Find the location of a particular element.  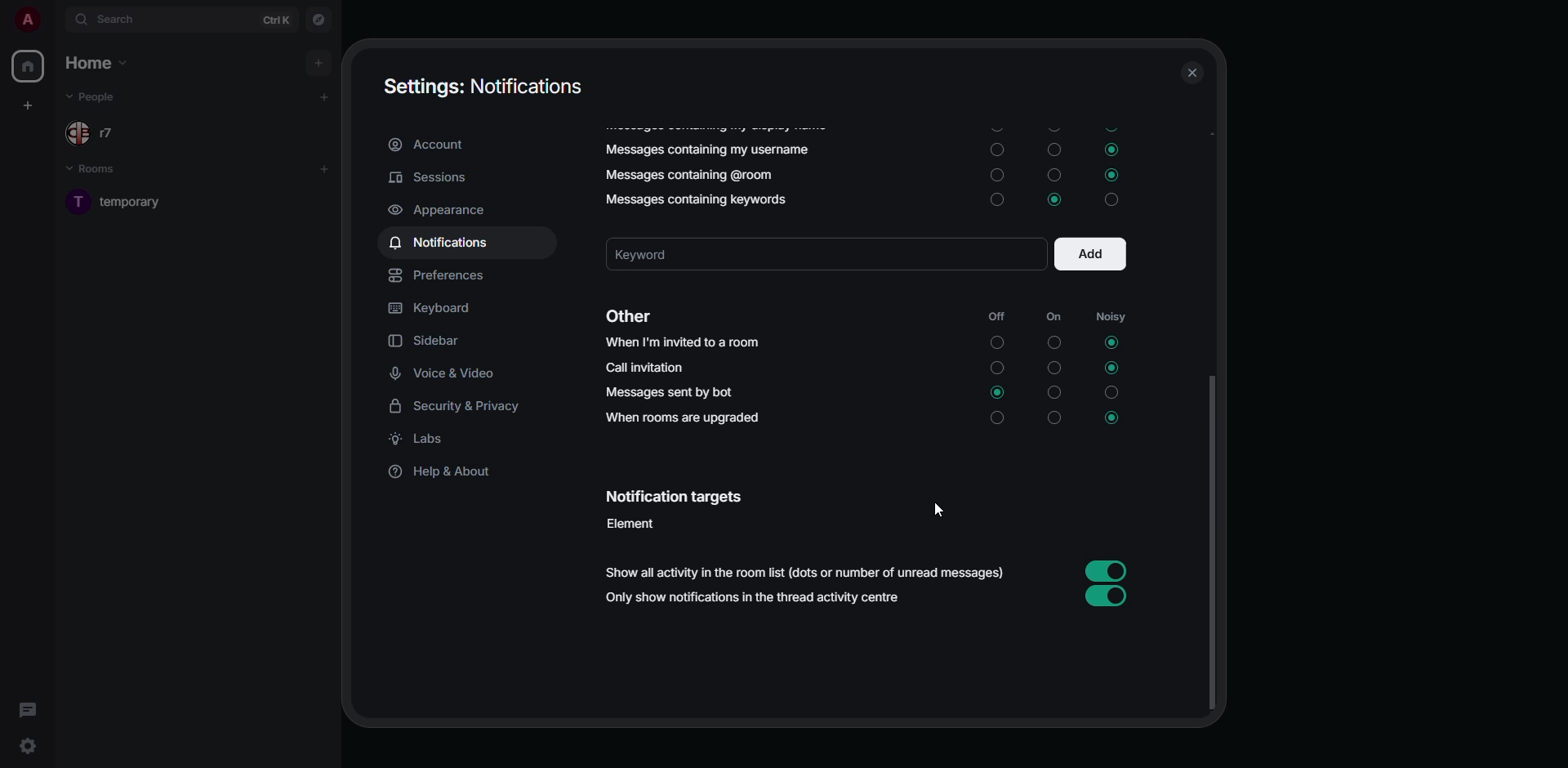

notifications is located at coordinates (443, 243).